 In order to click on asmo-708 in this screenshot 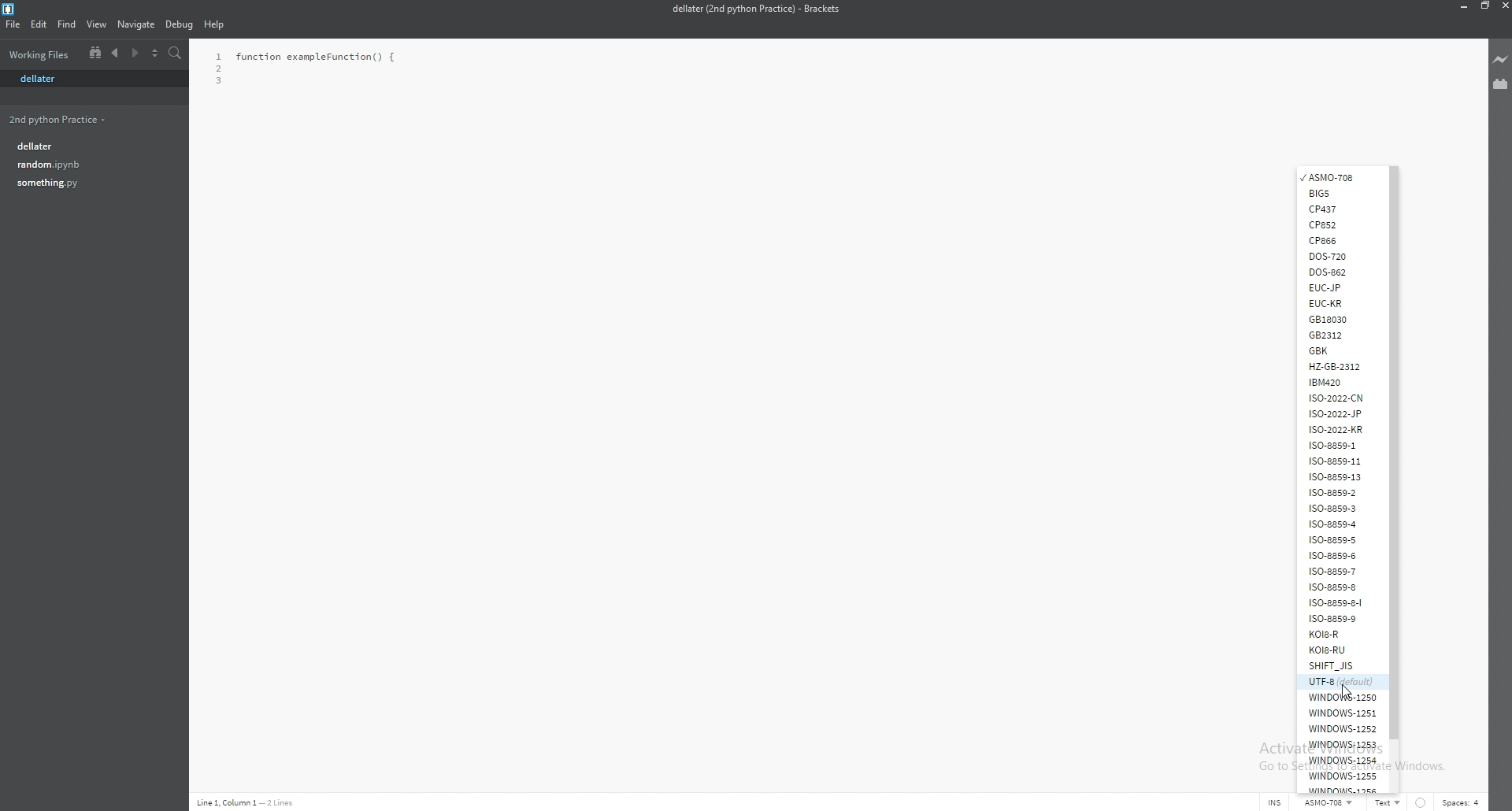, I will do `click(1340, 177)`.